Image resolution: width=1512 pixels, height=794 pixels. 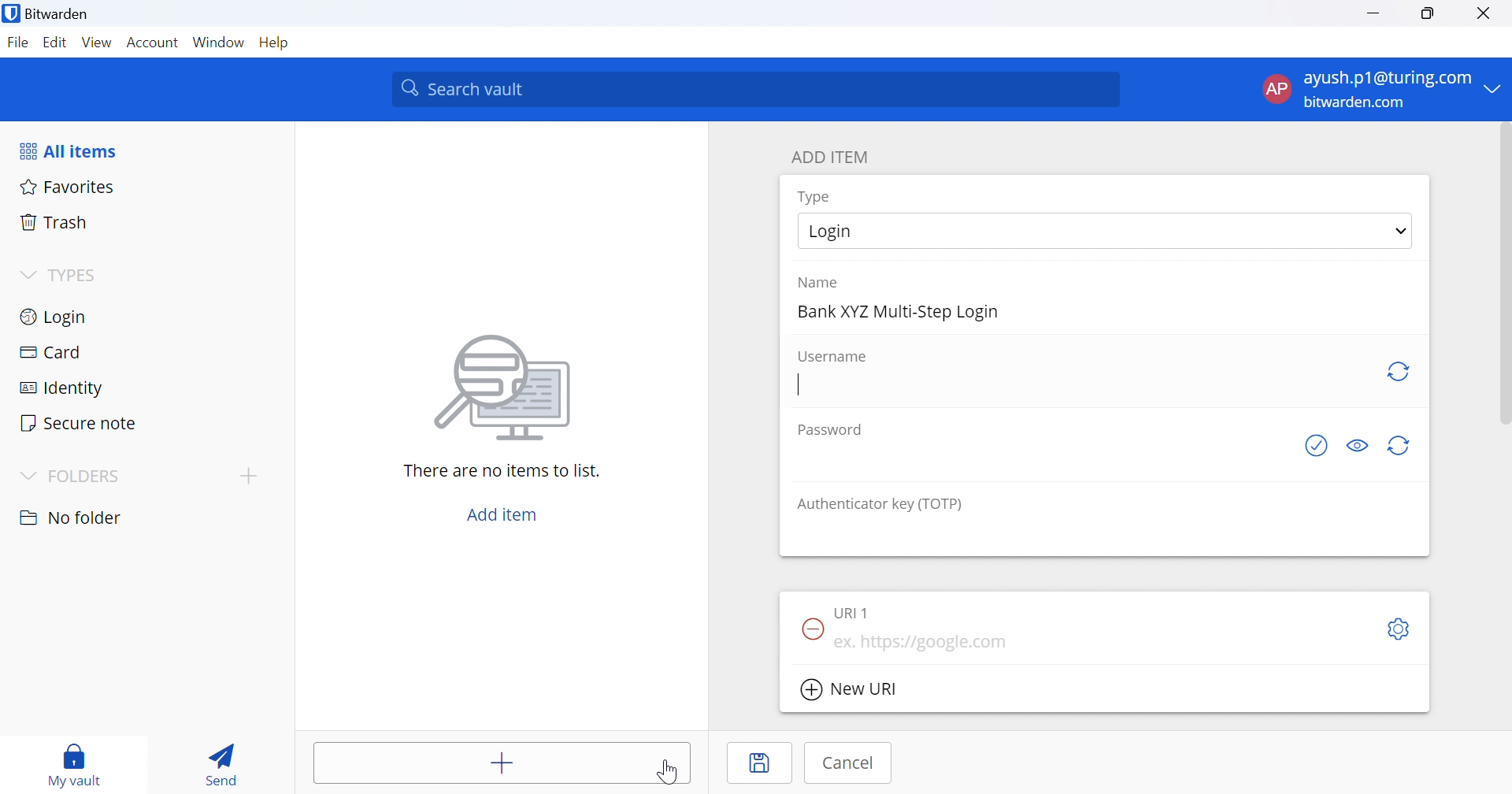 I want to click on View, so click(x=96, y=42).